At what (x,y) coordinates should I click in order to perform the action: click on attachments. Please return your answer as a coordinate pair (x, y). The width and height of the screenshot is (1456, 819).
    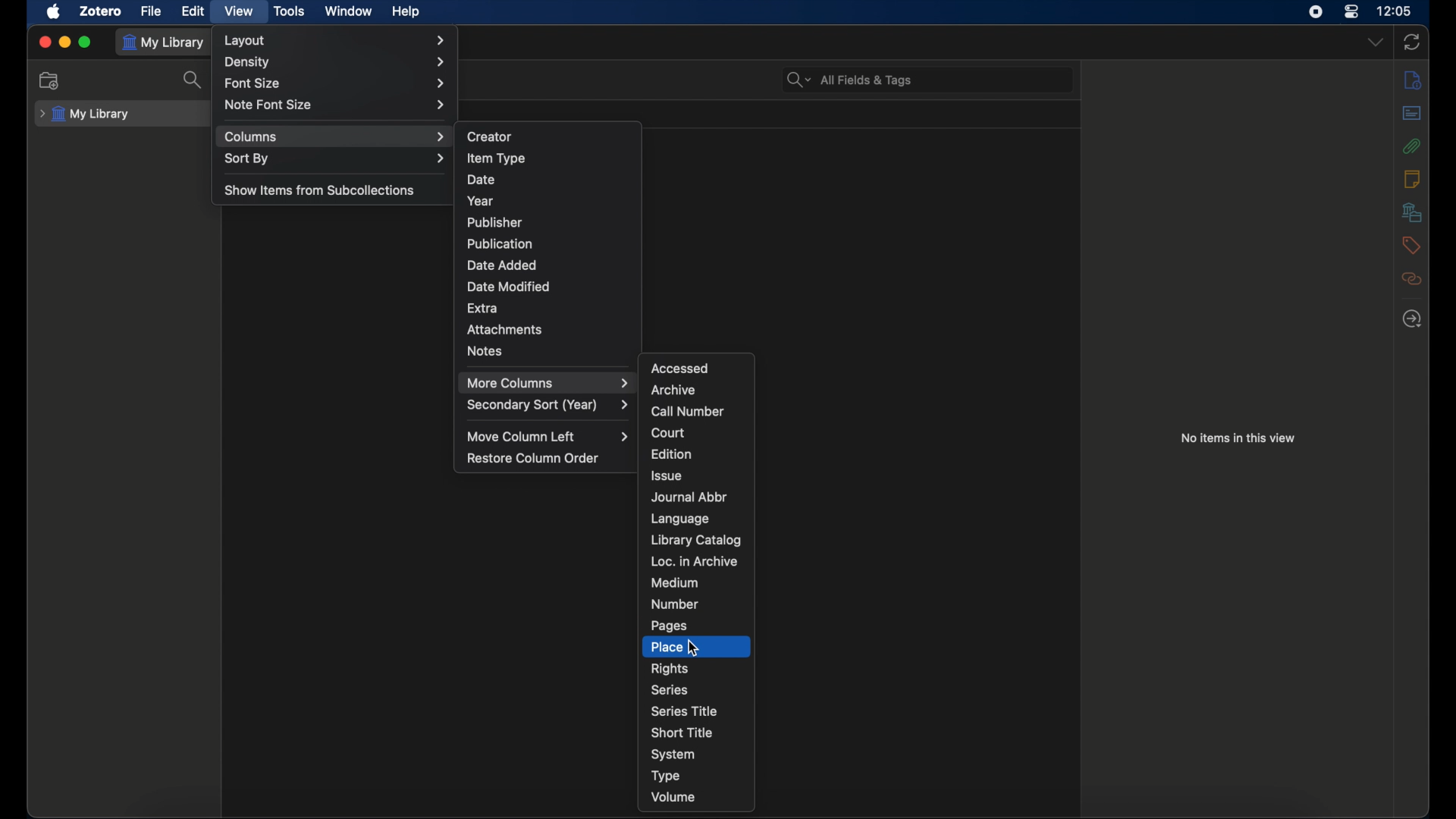
    Looking at the image, I should click on (504, 329).